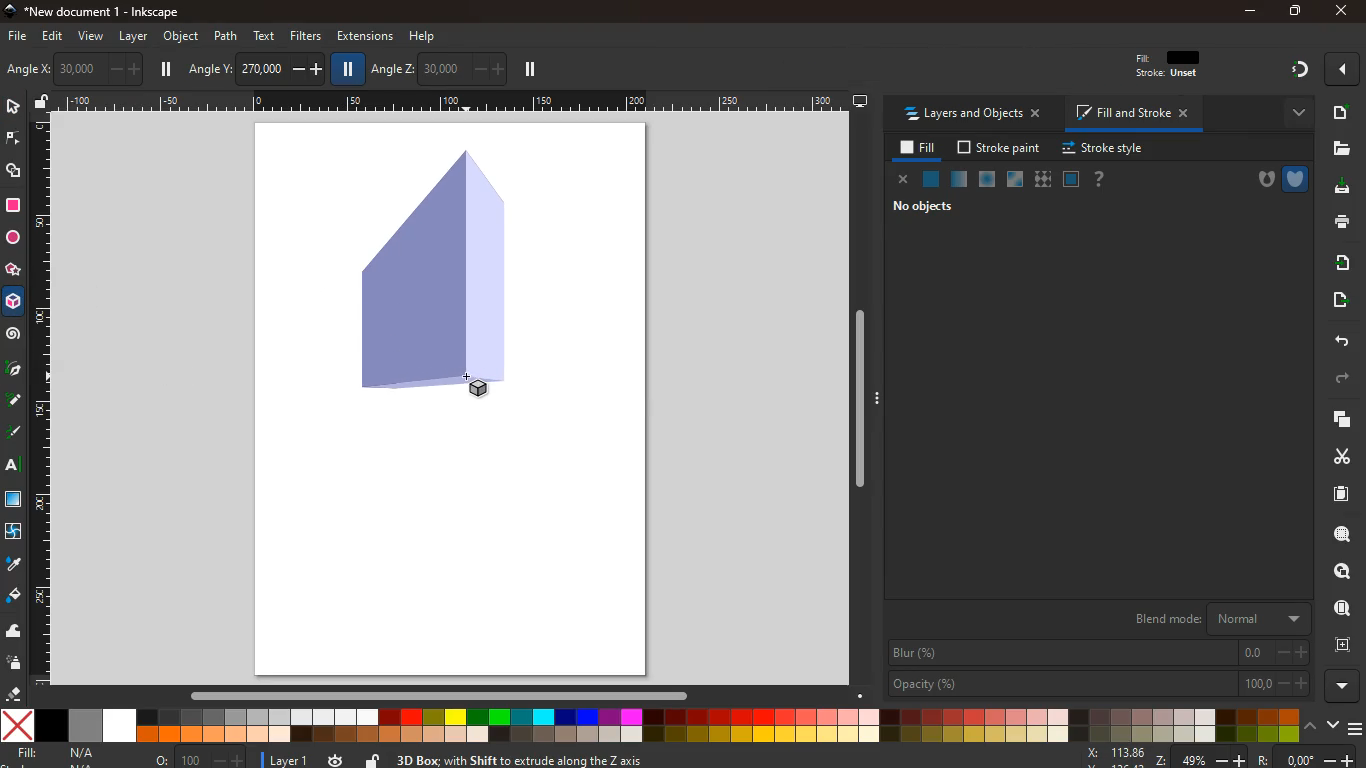 The image size is (1366, 768). What do you see at coordinates (12, 140) in the screenshot?
I see `edge` at bounding box center [12, 140].